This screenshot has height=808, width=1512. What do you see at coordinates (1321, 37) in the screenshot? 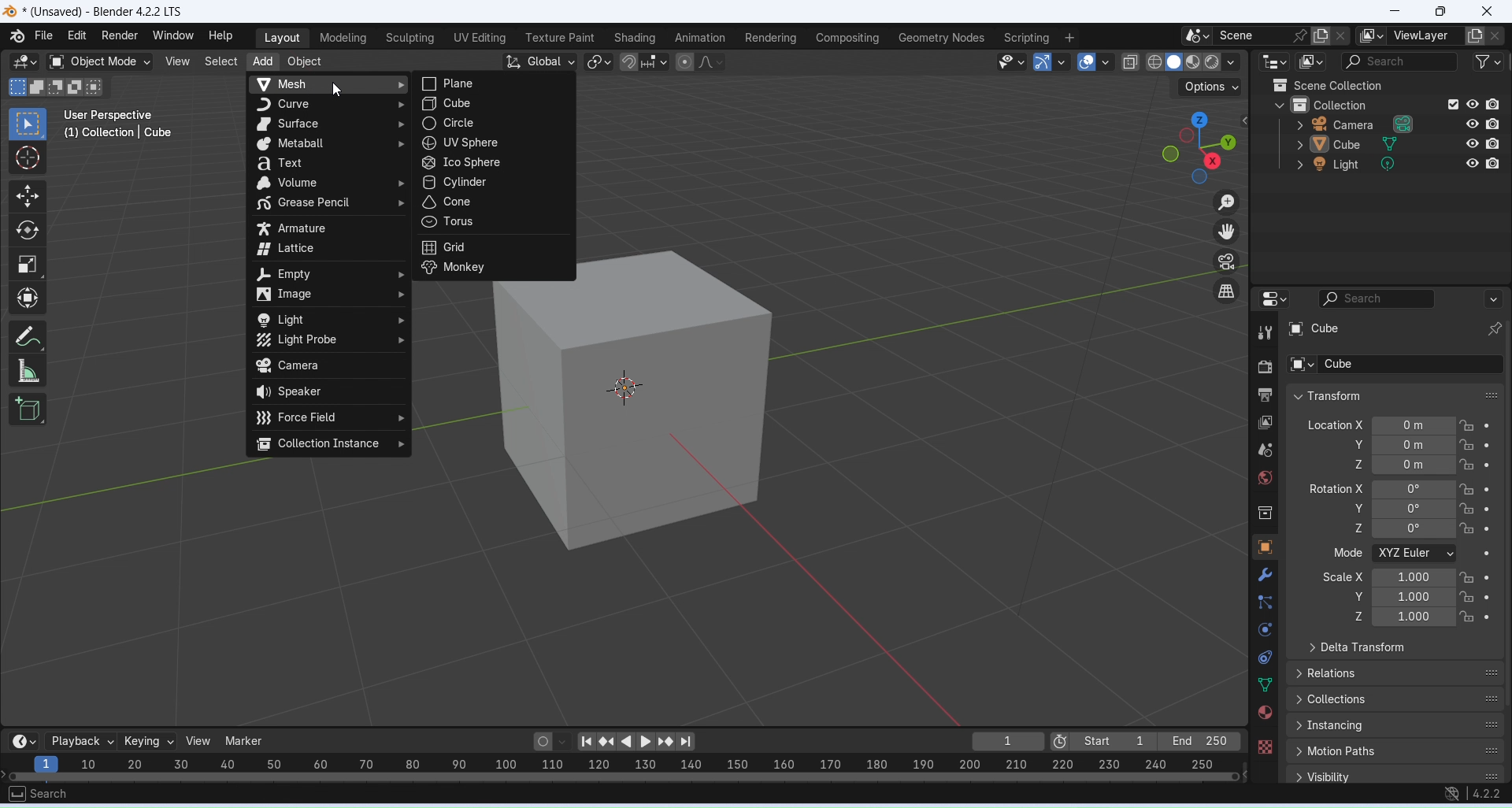
I see `add scene` at bounding box center [1321, 37].